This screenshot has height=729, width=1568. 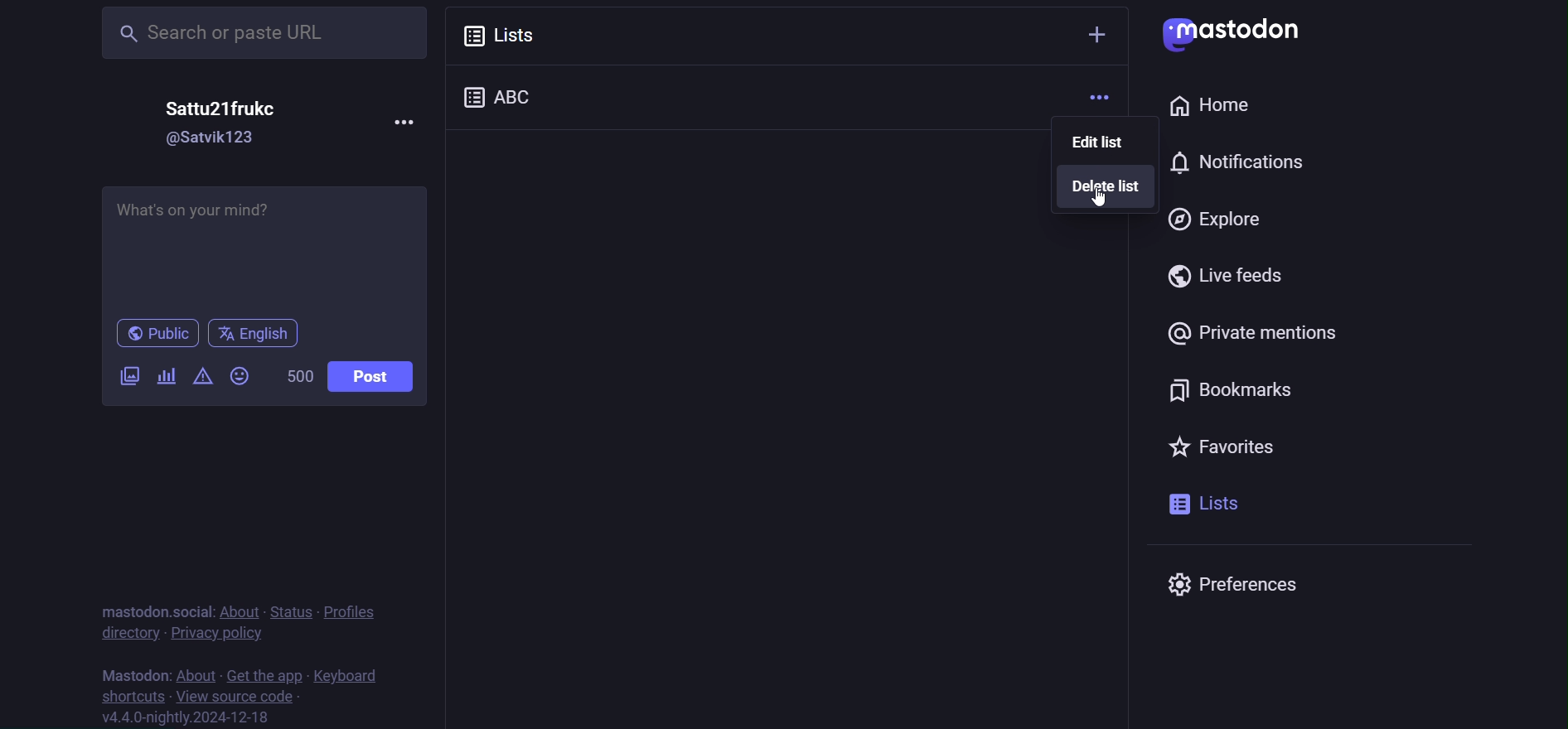 I want to click on ABC, so click(x=515, y=94).